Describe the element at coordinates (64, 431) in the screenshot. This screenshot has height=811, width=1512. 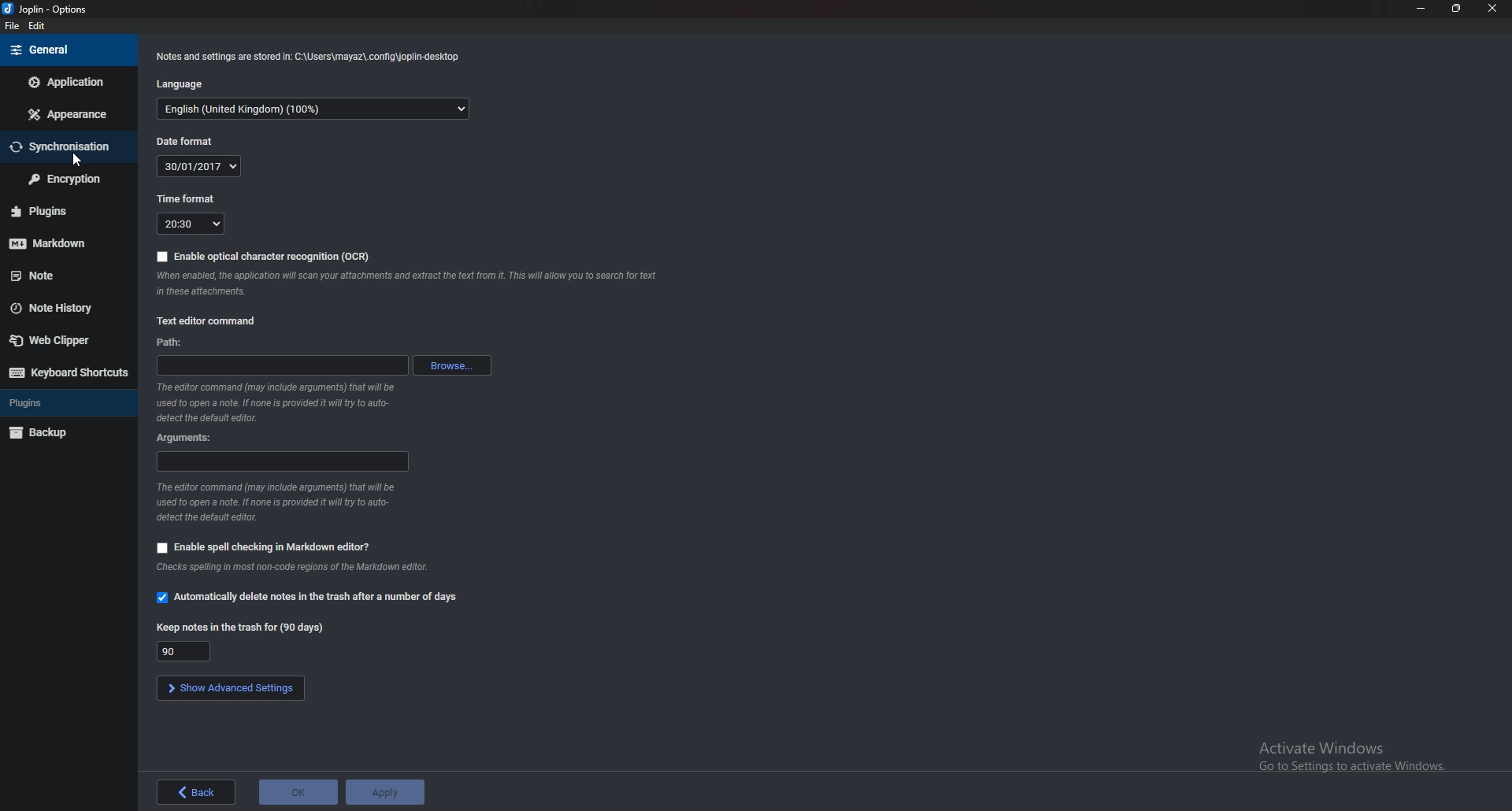
I see `backup` at that location.